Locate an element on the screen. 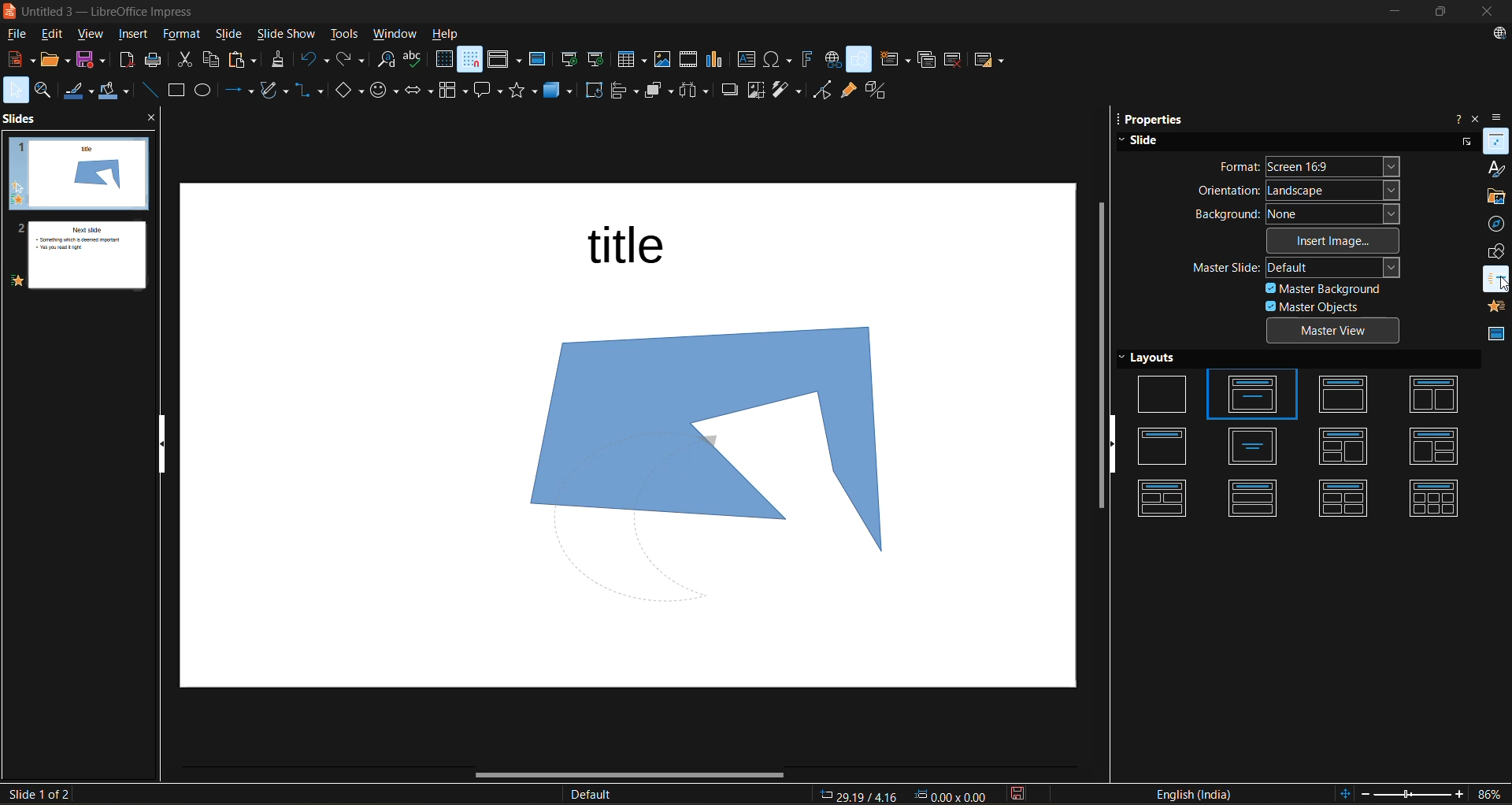 The height and width of the screenshot is (805, 1512). horizontal scroll bar is located at coordinates (619, 777).